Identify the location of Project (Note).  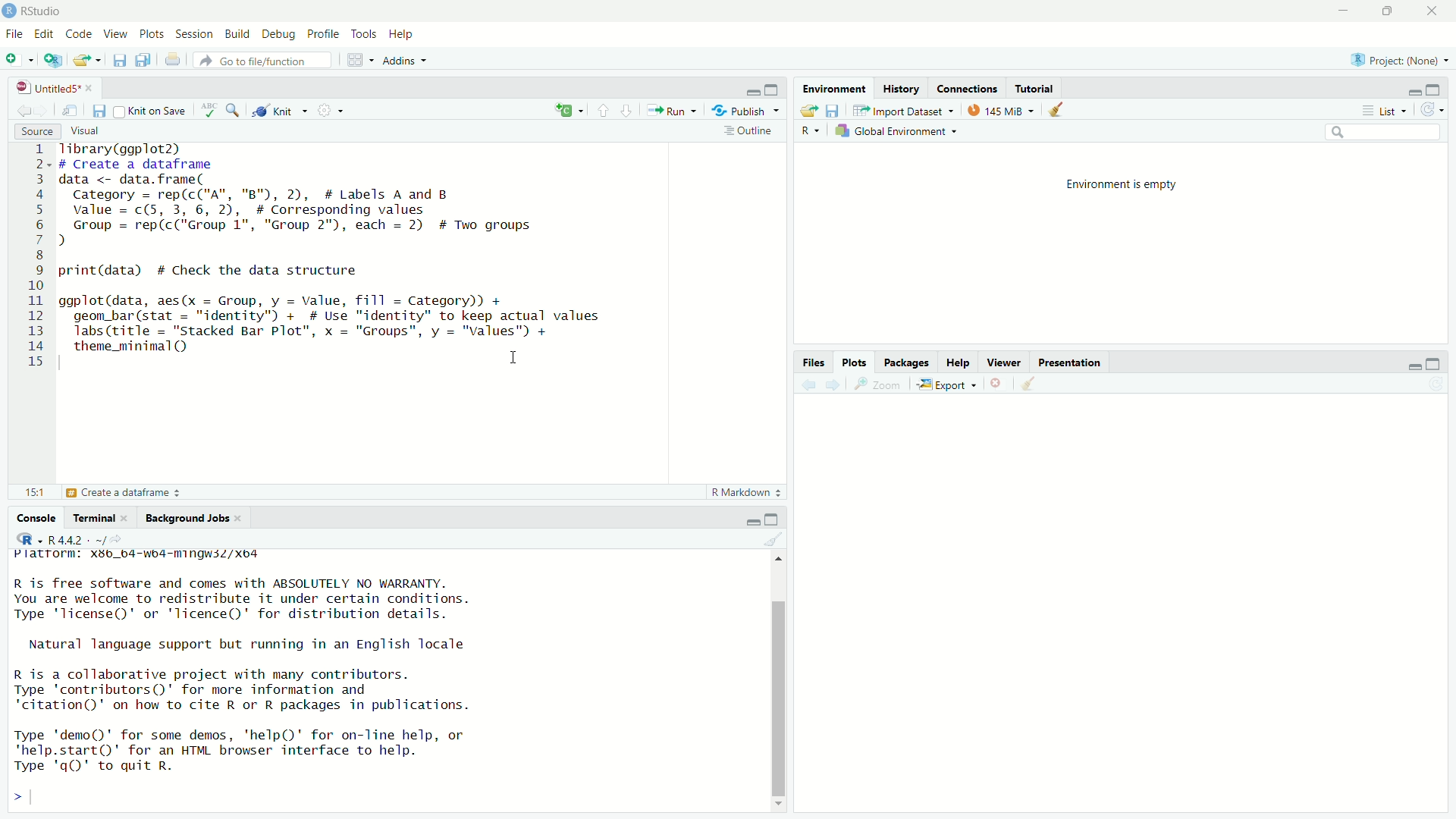
(1401, 58).